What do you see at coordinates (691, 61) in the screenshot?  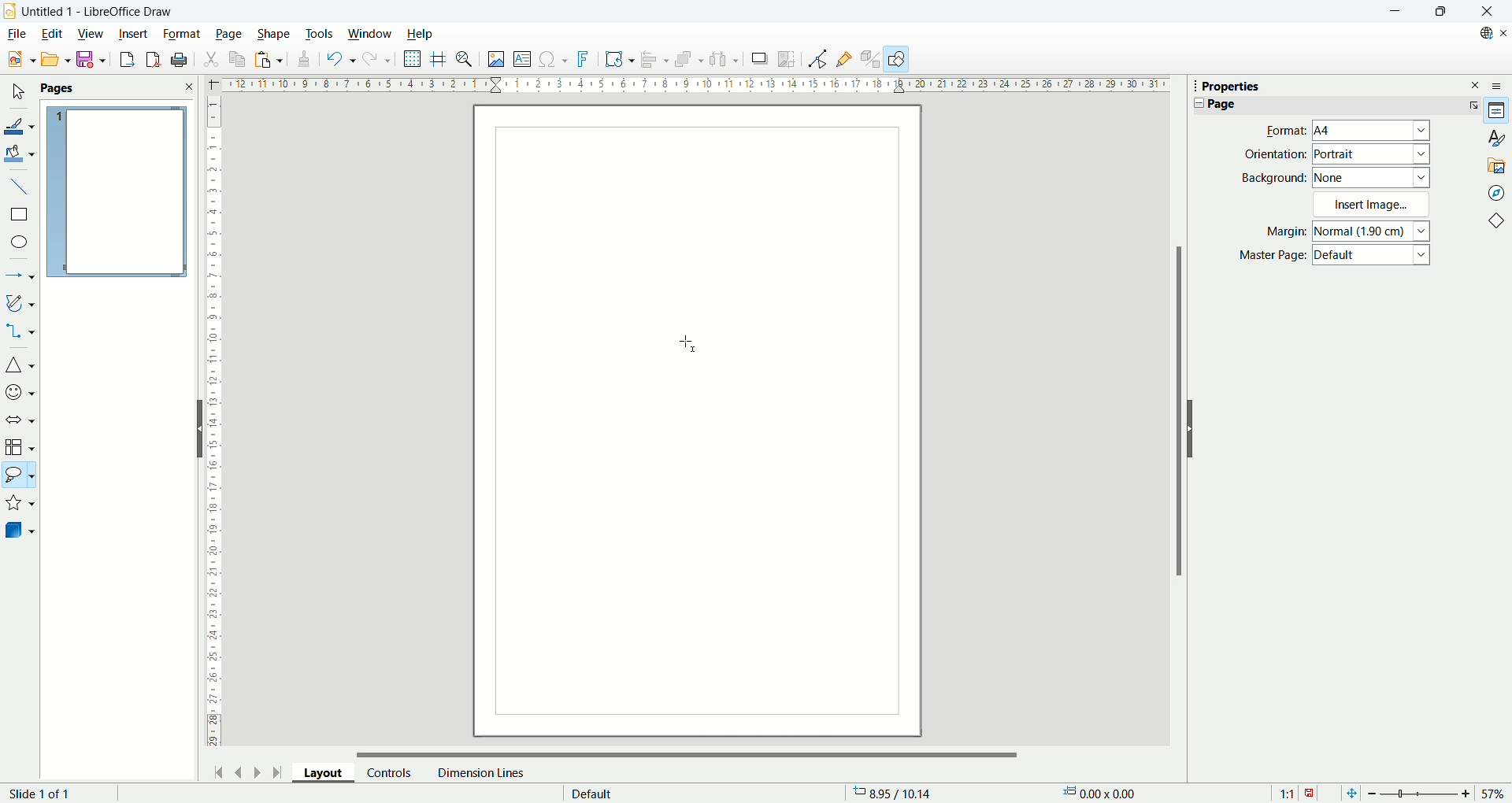 I see `arrange` at bounding box center [691, 61].